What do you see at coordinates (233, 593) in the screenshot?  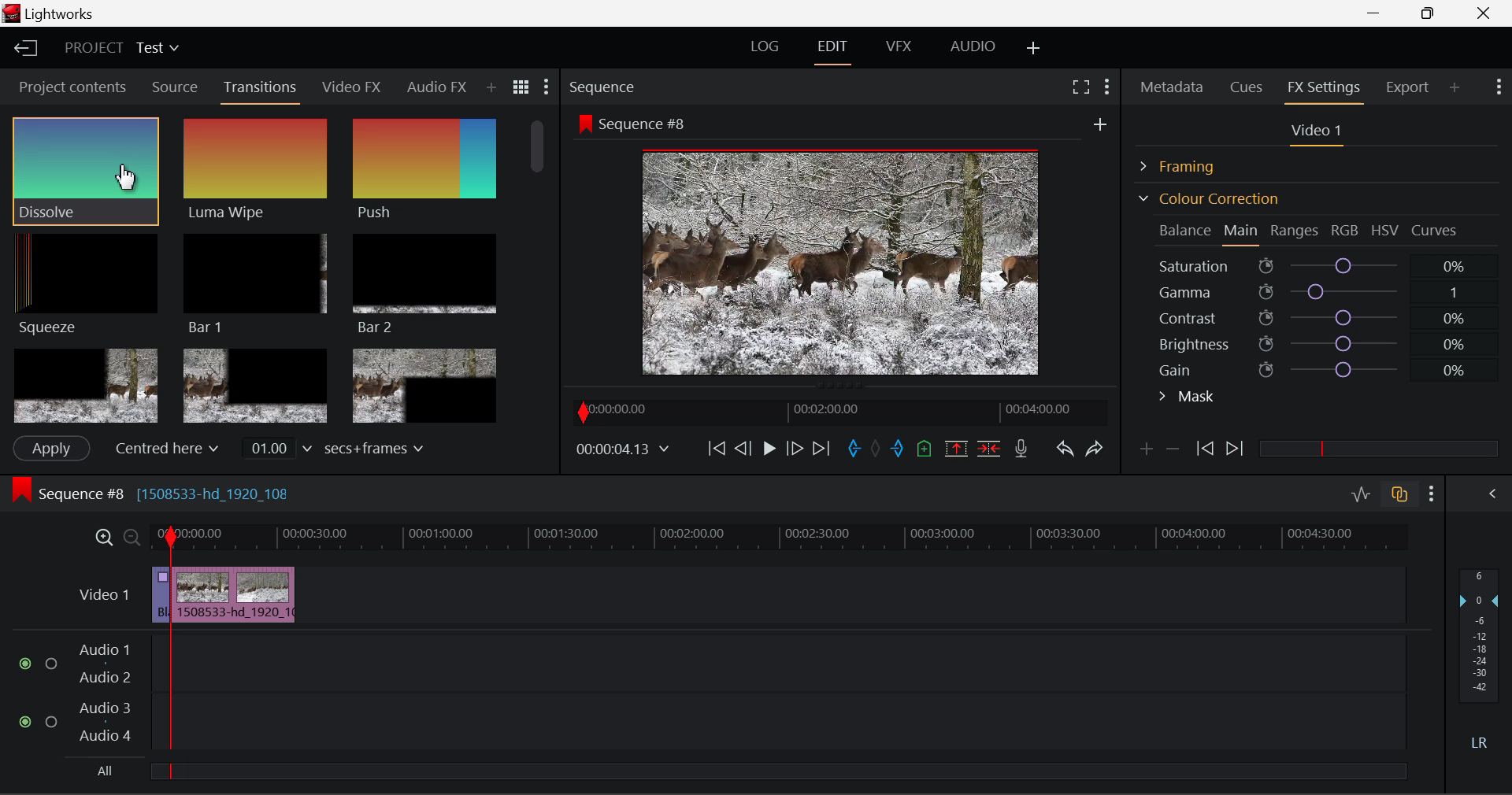 I see `Clip Inserted to Timeline` at bounding box center [233, 593].